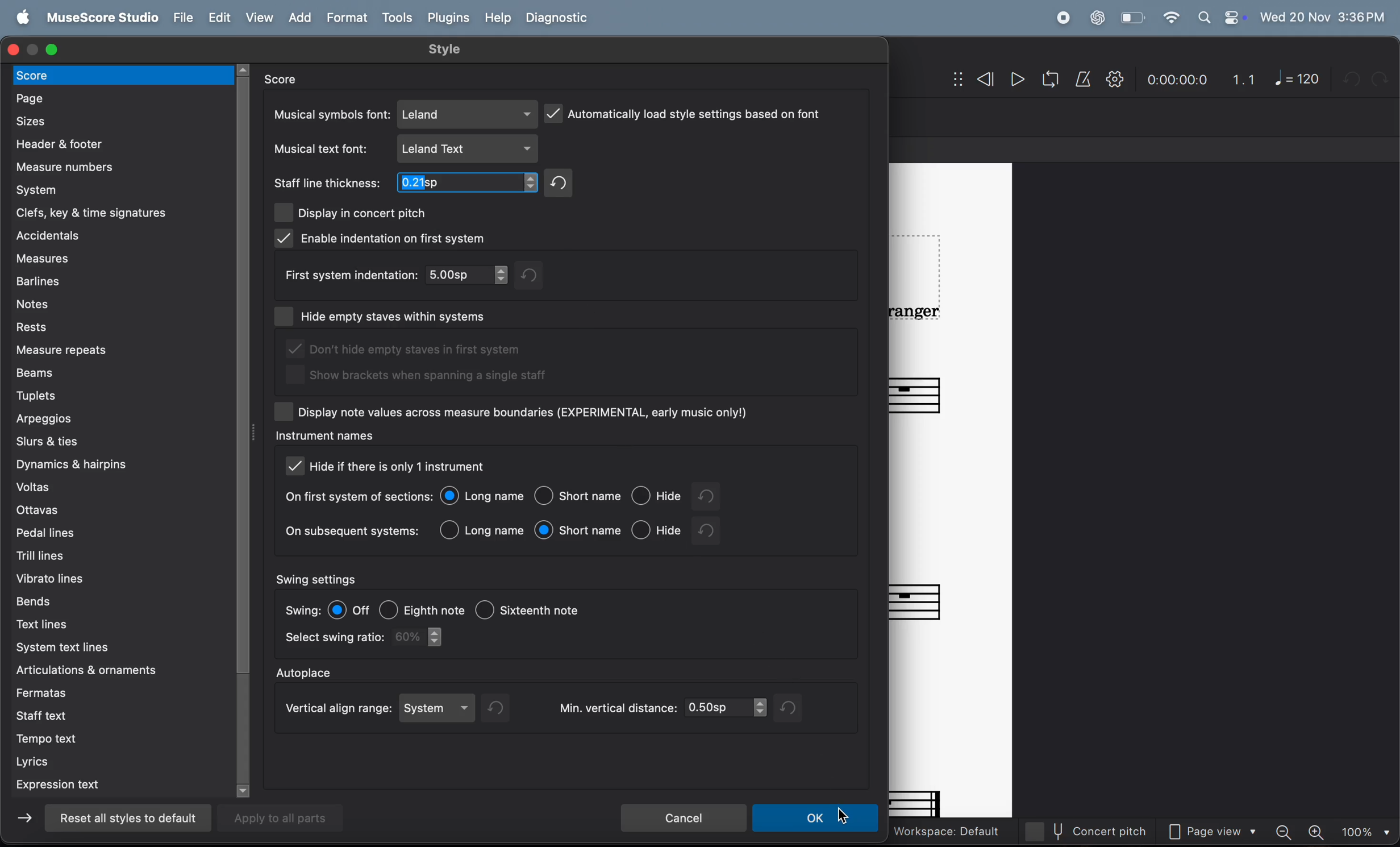  I want to click on apply to aall parts, so click(288, 817).